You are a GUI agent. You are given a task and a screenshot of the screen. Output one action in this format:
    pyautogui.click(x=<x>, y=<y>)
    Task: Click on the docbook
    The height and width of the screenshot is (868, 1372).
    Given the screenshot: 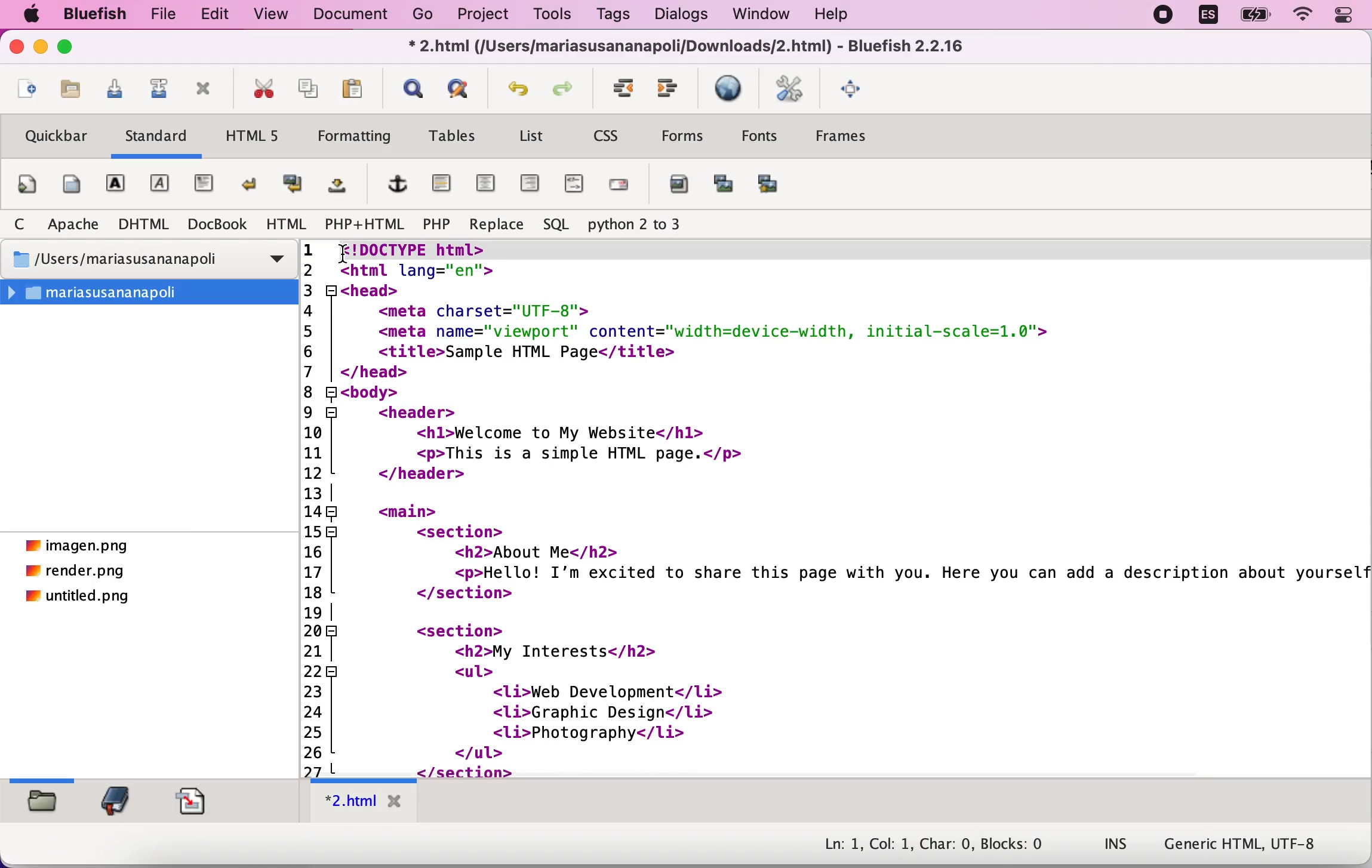 What is the action you would take?
    pyautogui.click(x=214, y=226)
    